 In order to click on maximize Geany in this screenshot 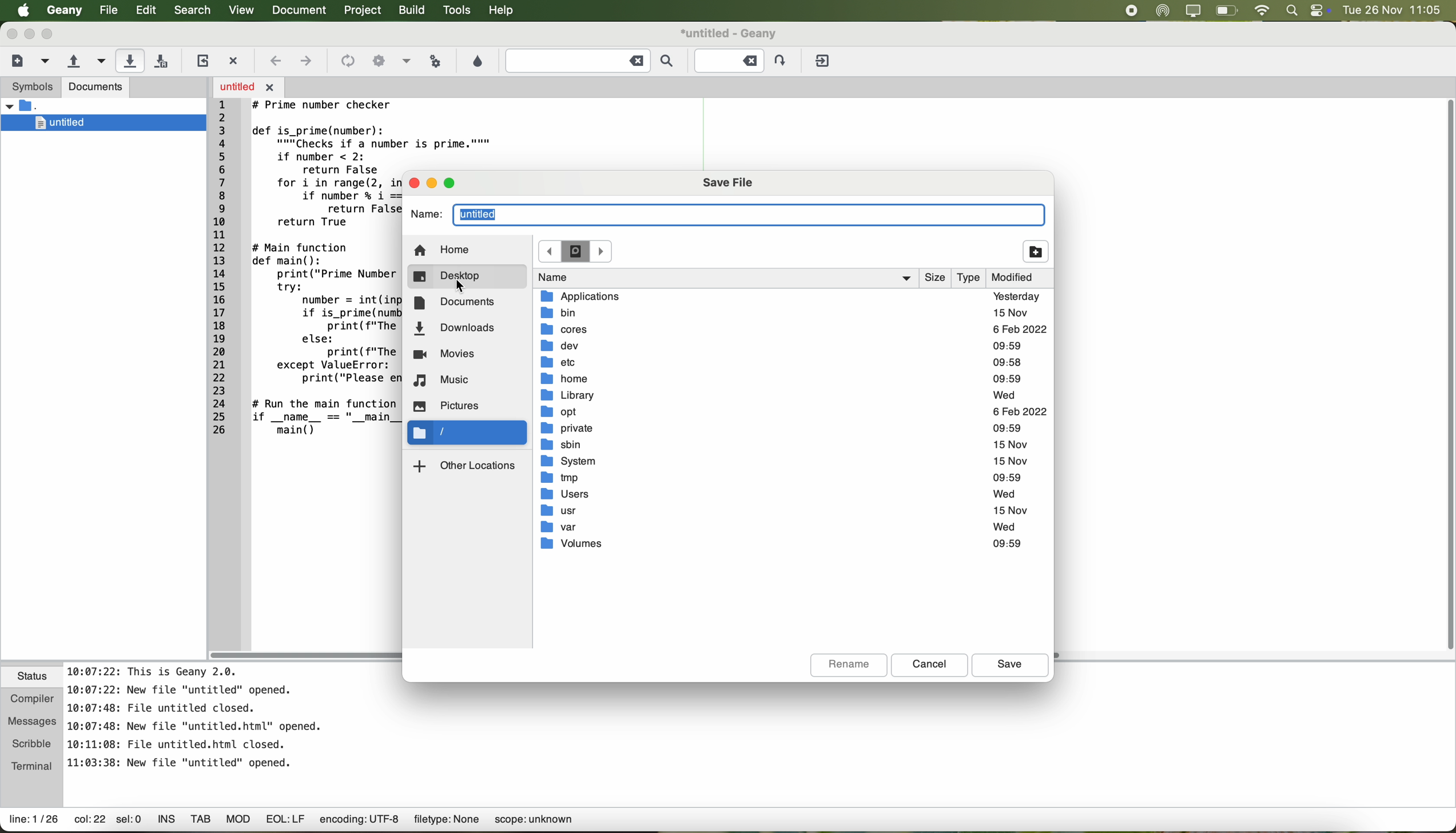, I will do `click(51, 34)`.